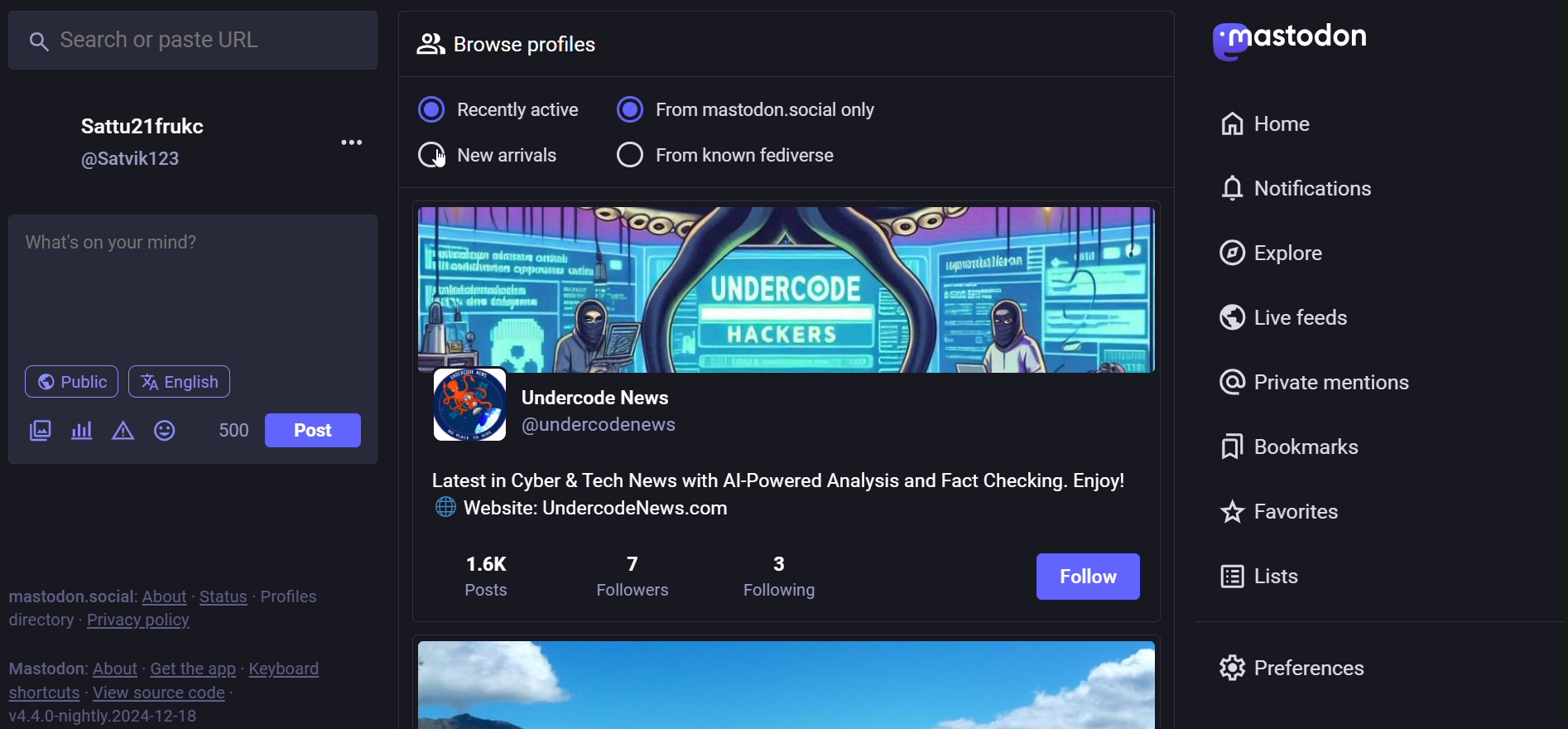 Image resolution: width=1568 pixels, height=729 pixels. Describe the element at coordinates (103, 717) in the screenshot. I see `v4.4.0-nightly.2024-12-18` at that location.